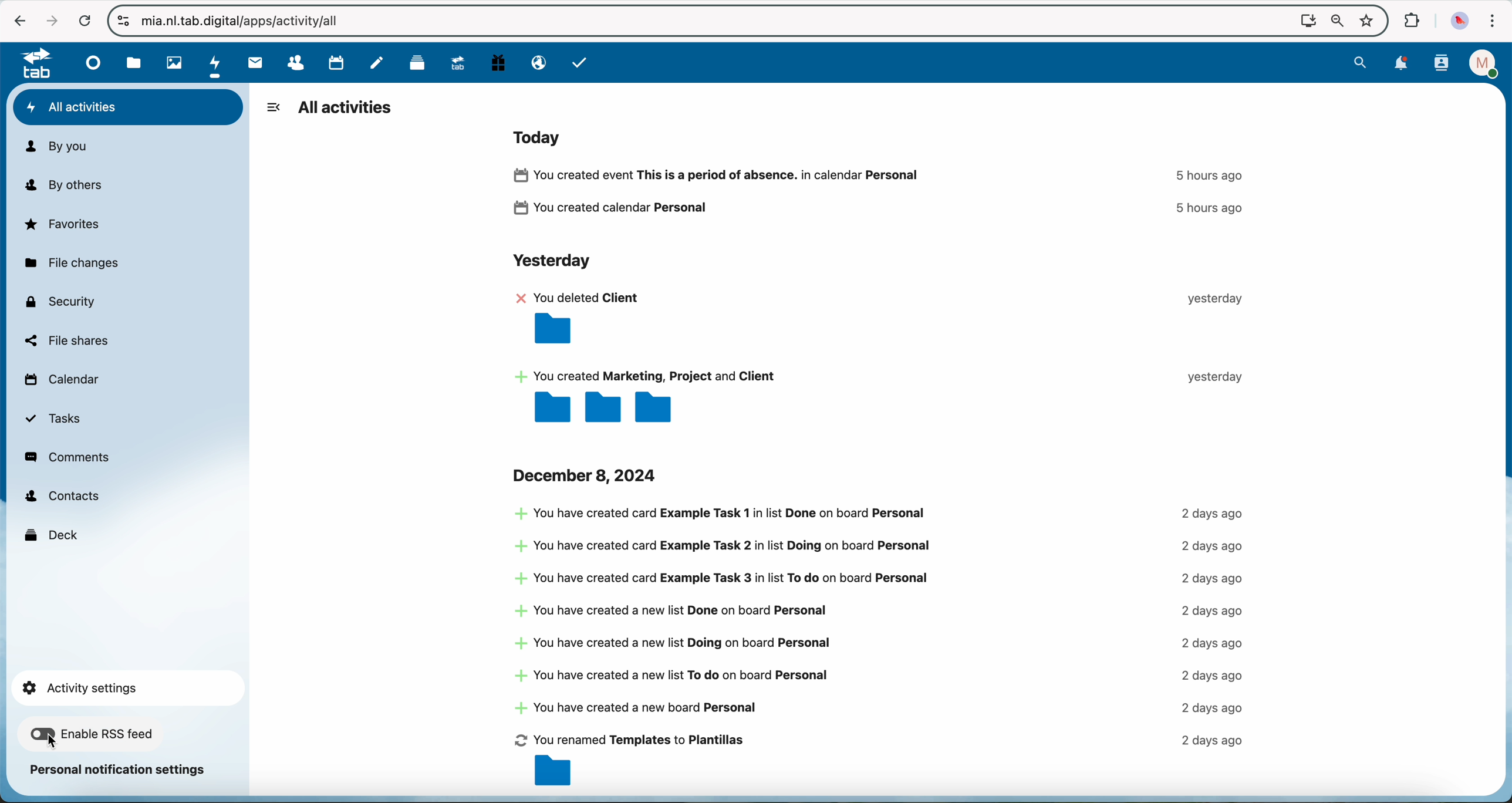 This screenshot has width=1512, height=803. What do you see at coordinates (885, 194) in the screenshot?
I see `activity` at bounding box center [885, 194].